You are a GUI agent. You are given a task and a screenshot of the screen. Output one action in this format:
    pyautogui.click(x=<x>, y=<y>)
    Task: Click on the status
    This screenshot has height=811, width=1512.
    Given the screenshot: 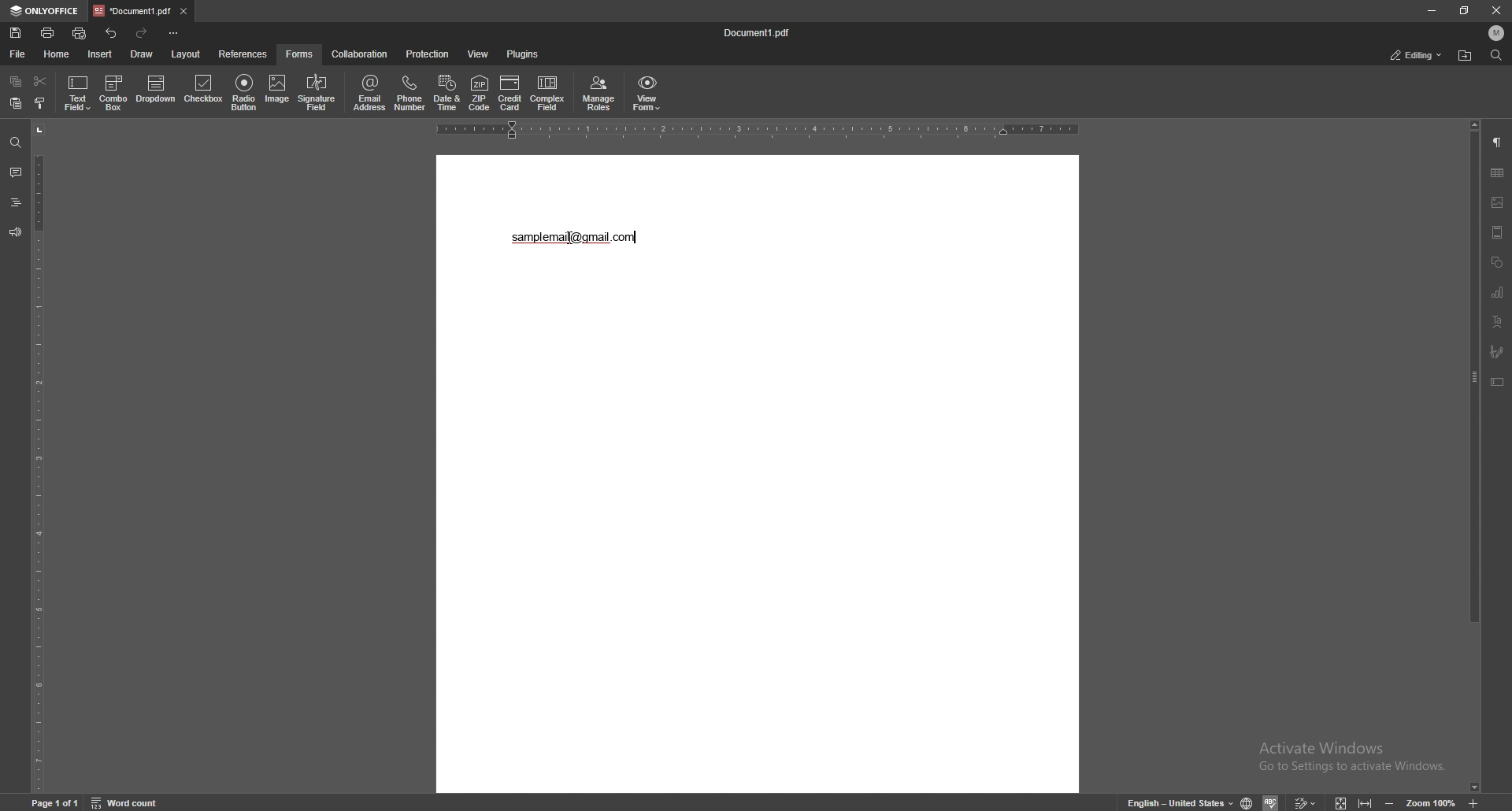 What is the action you would take?
    pyautogui.click(x=1416, y=56)
    